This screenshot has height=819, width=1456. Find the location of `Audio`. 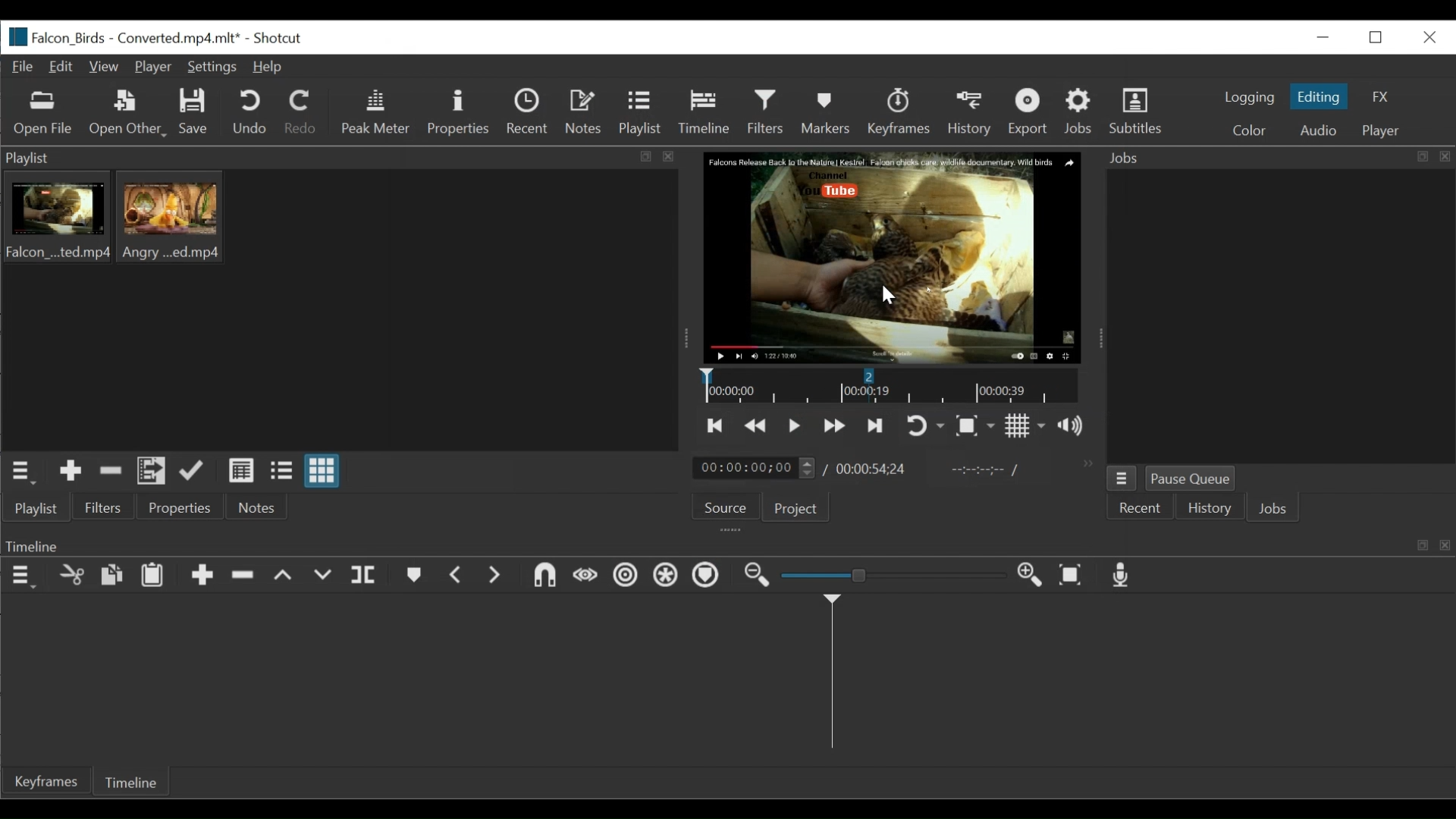

Audio is located at coordinates (1320, 130).